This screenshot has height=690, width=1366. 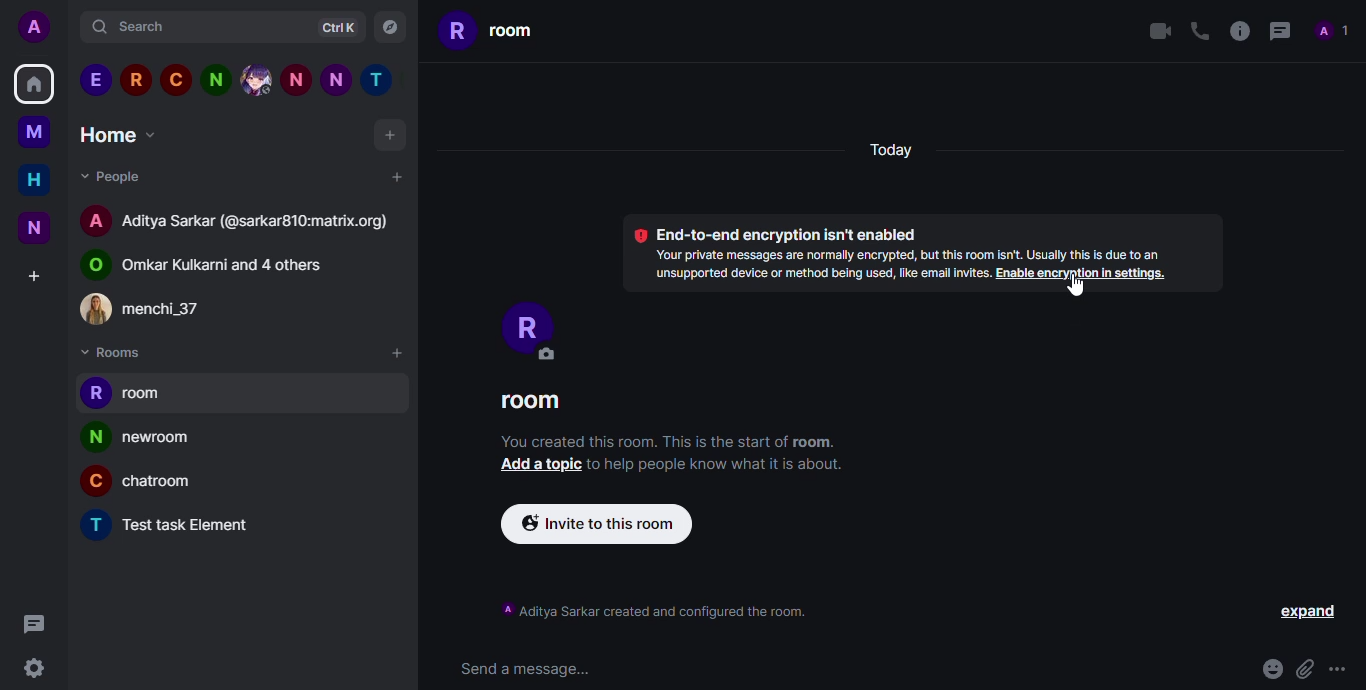 What do you see at coordinates (34, 131) in the screenshot?
I see `myspace` at bounding box center [34, 131].